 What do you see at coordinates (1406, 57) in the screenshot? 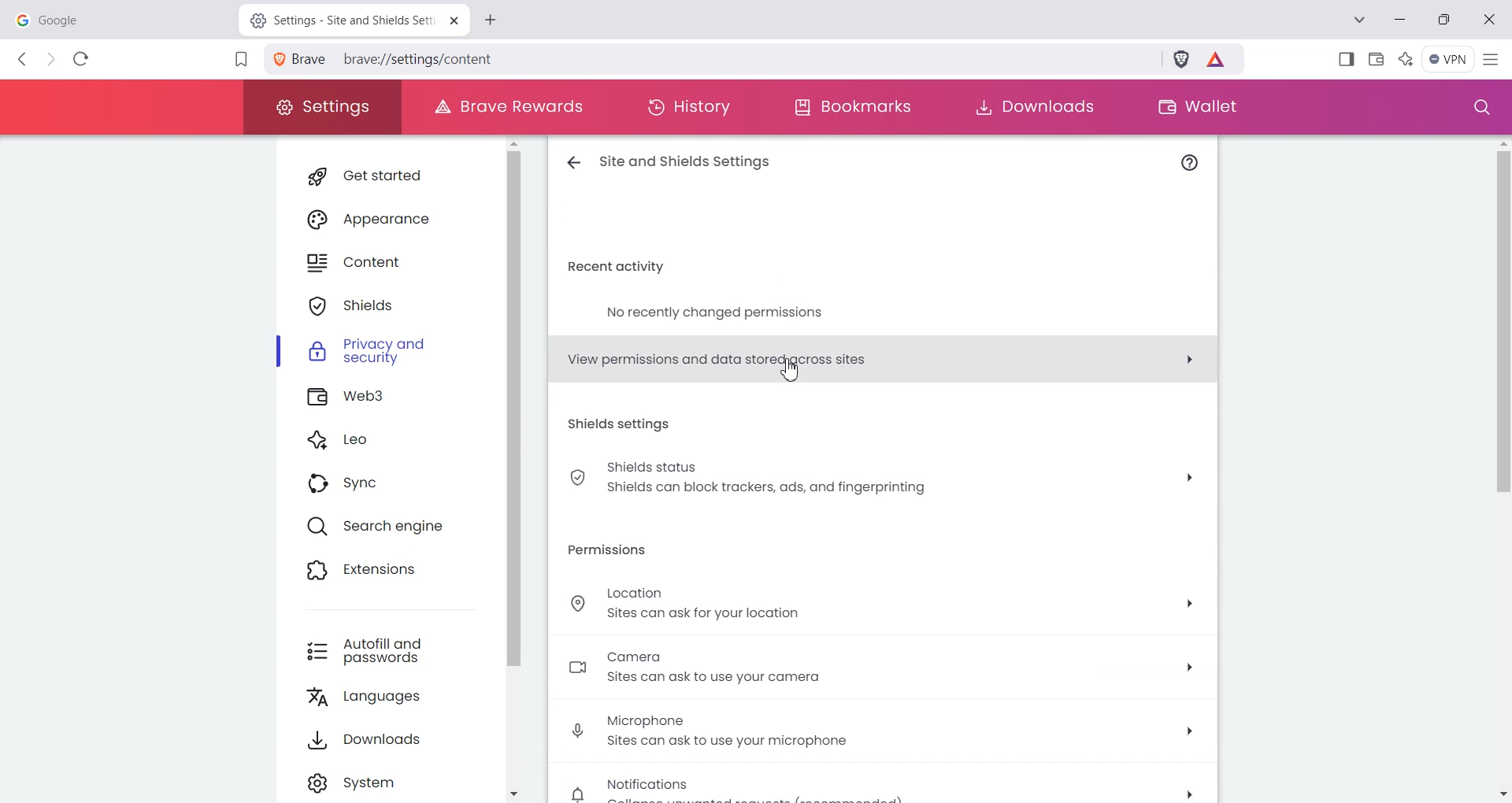
I see `Leo Ai` at bounding box center [1406, 57].